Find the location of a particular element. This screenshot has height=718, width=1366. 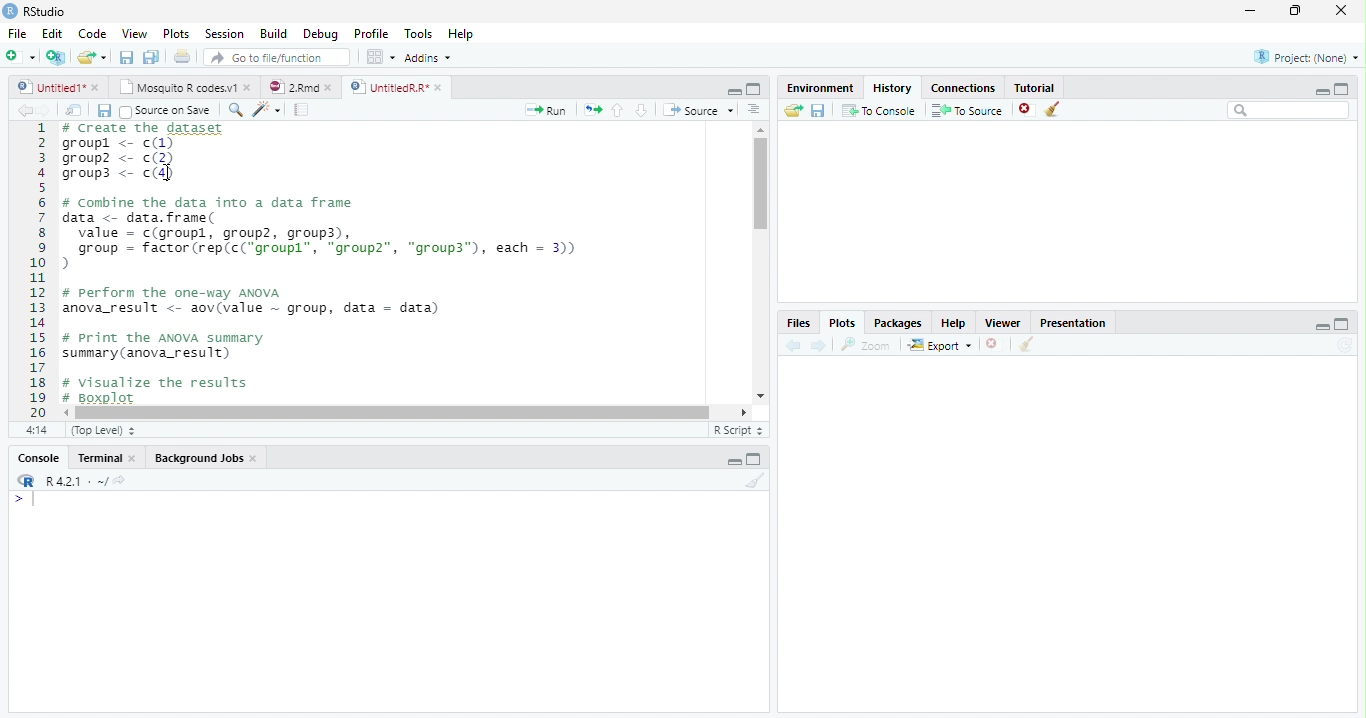

Zoom In is located at coordinates (234, 111).